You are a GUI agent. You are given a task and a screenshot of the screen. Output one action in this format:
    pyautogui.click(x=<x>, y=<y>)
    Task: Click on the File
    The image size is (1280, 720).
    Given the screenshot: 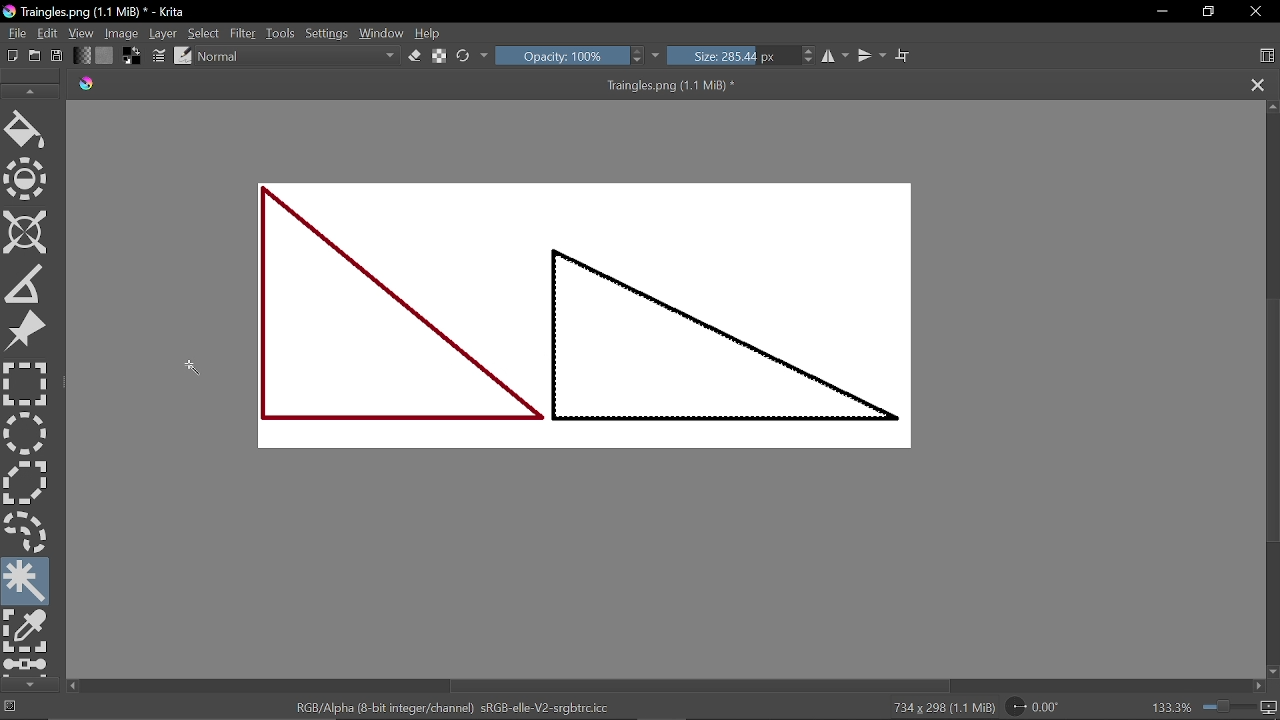 What is the action you would take?
    pyautogui.click(x=15, y=32)
    